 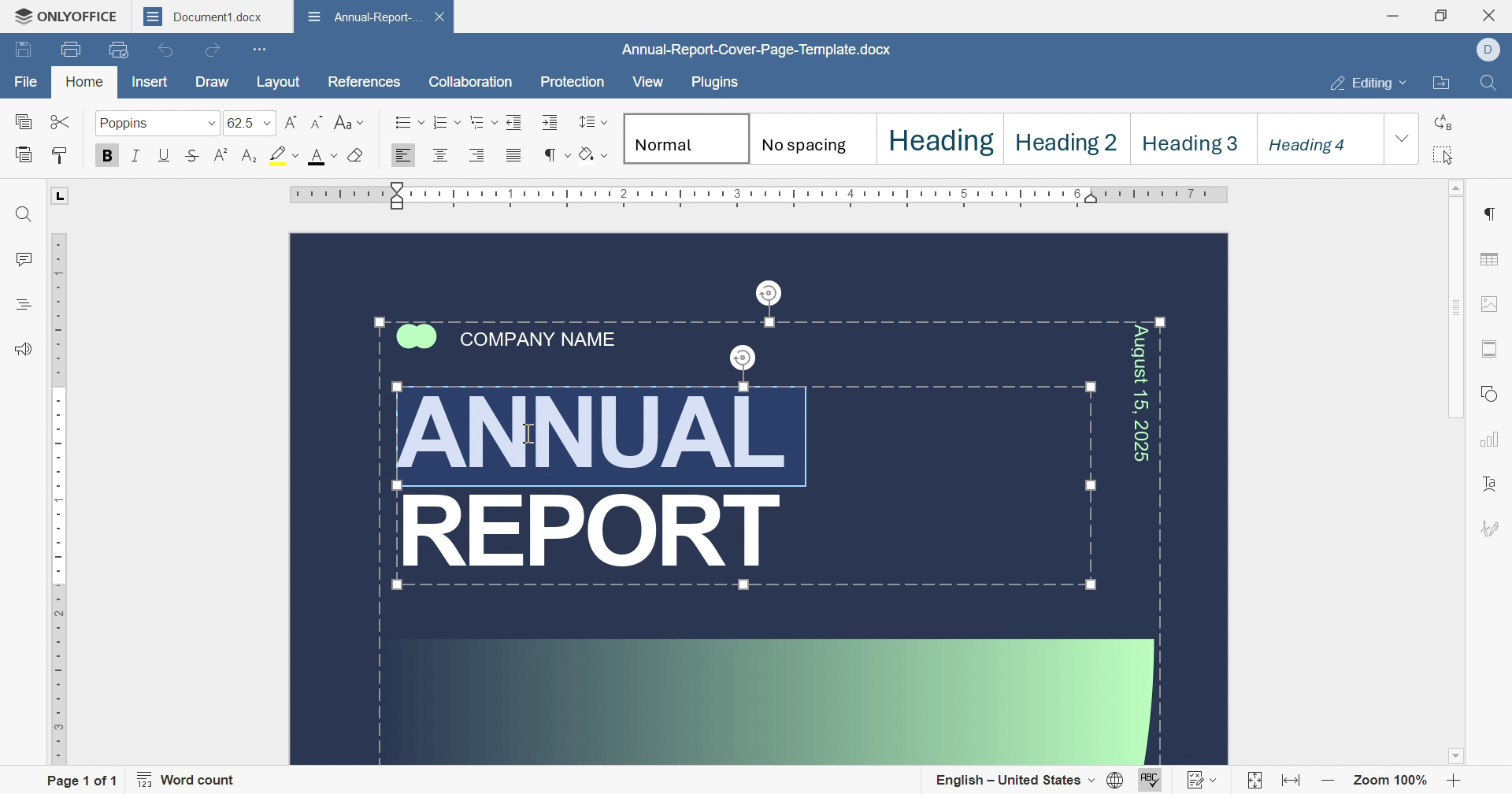 What do you see at coordinates (439, 155) in the screenshot?
I see `align left` at bounding box center [439, 155].